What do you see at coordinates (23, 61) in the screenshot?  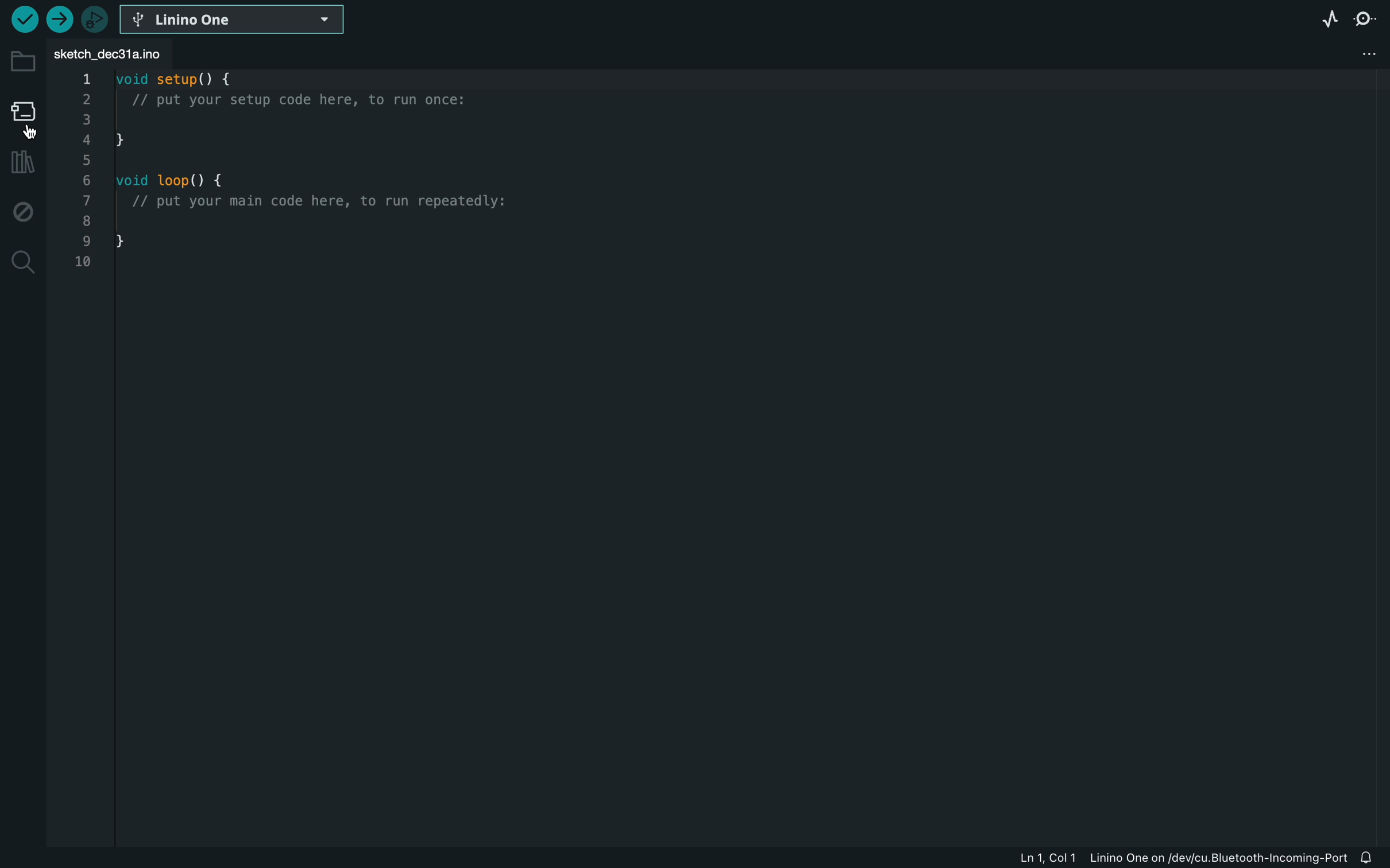 I see `folder` at bounding box center [23, 61].